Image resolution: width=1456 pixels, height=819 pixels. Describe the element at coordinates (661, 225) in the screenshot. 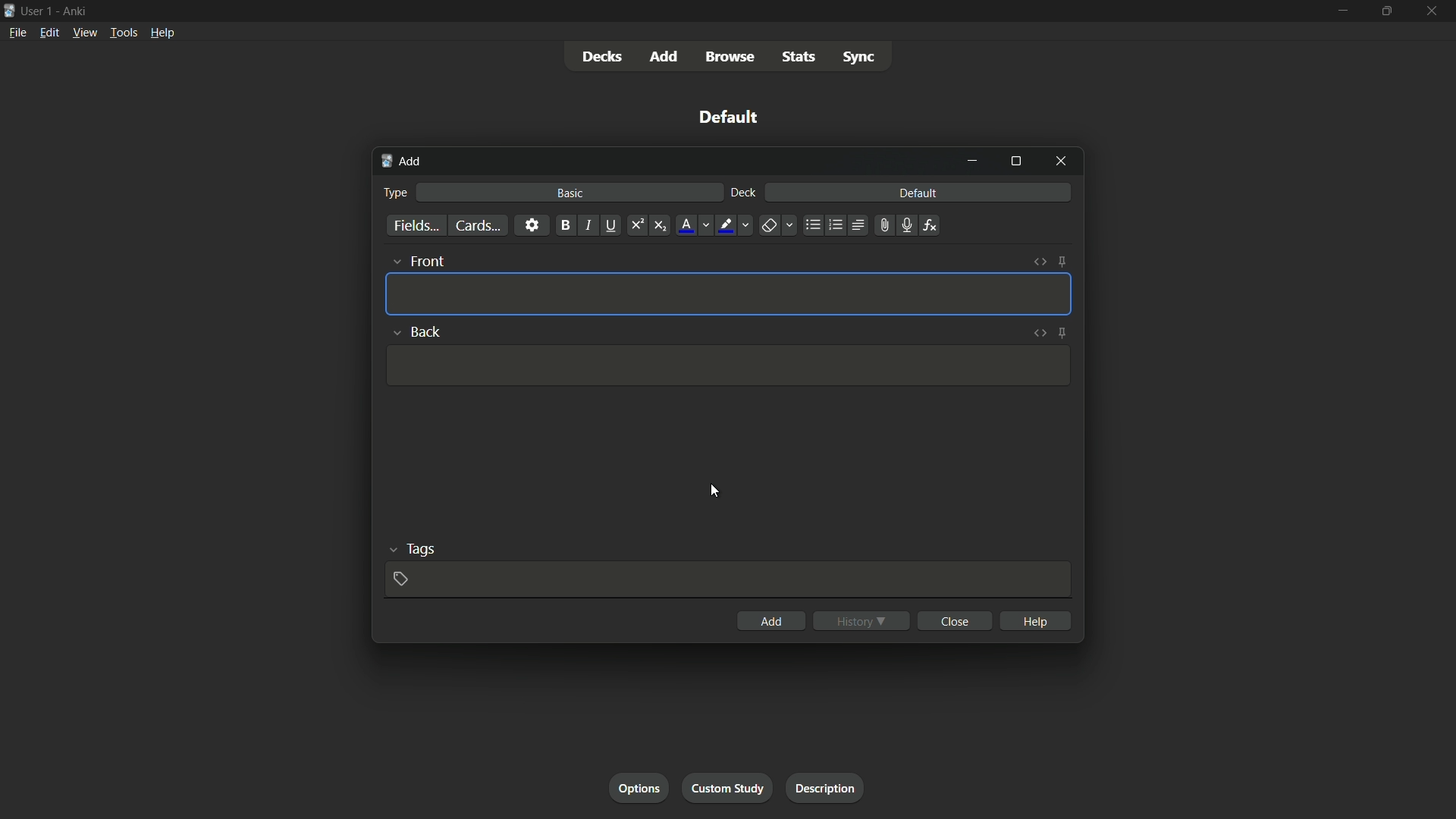

I see `subscript` at that location.